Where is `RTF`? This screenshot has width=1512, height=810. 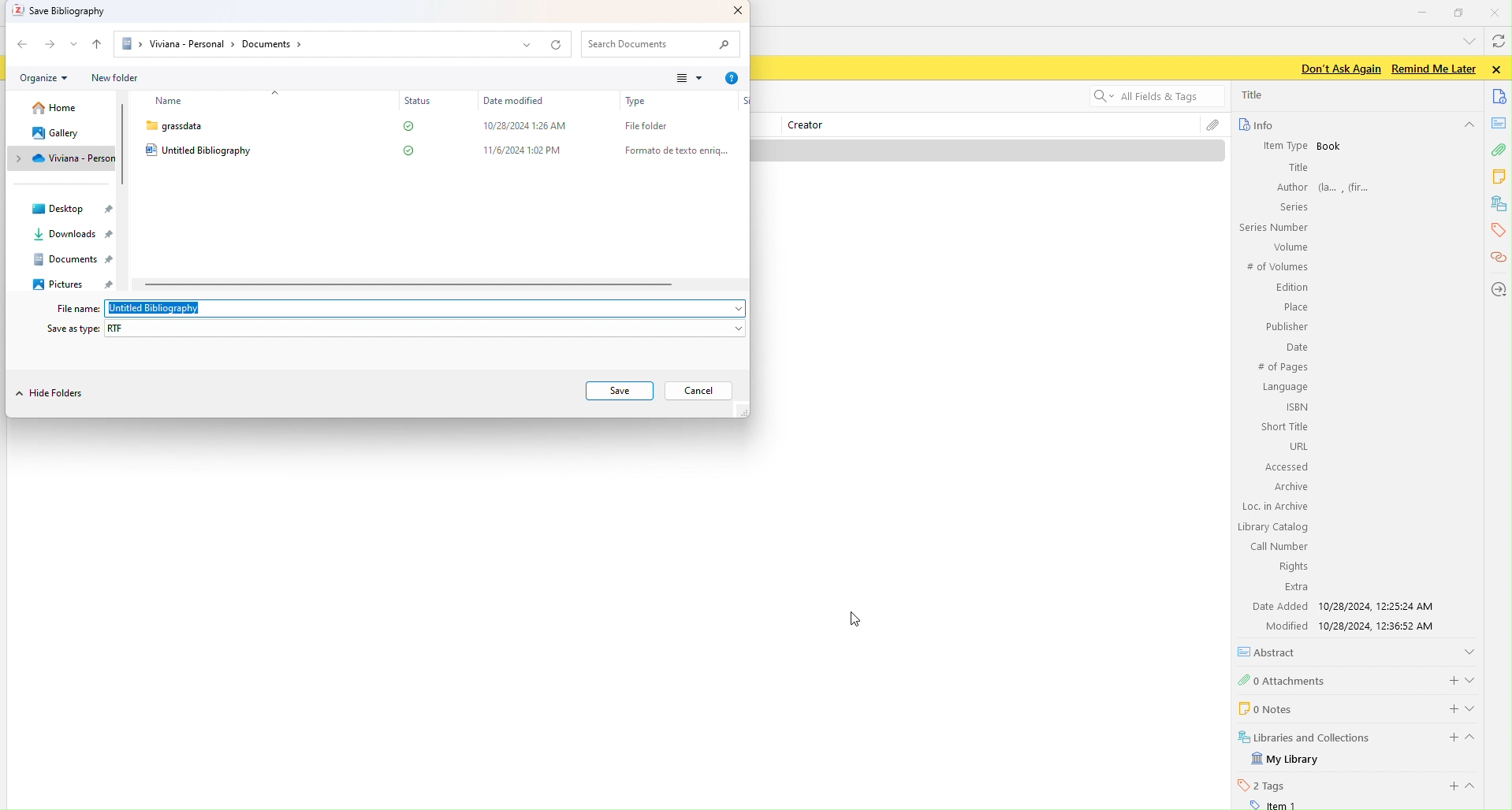
RTF is located at coordinates (122, 328).